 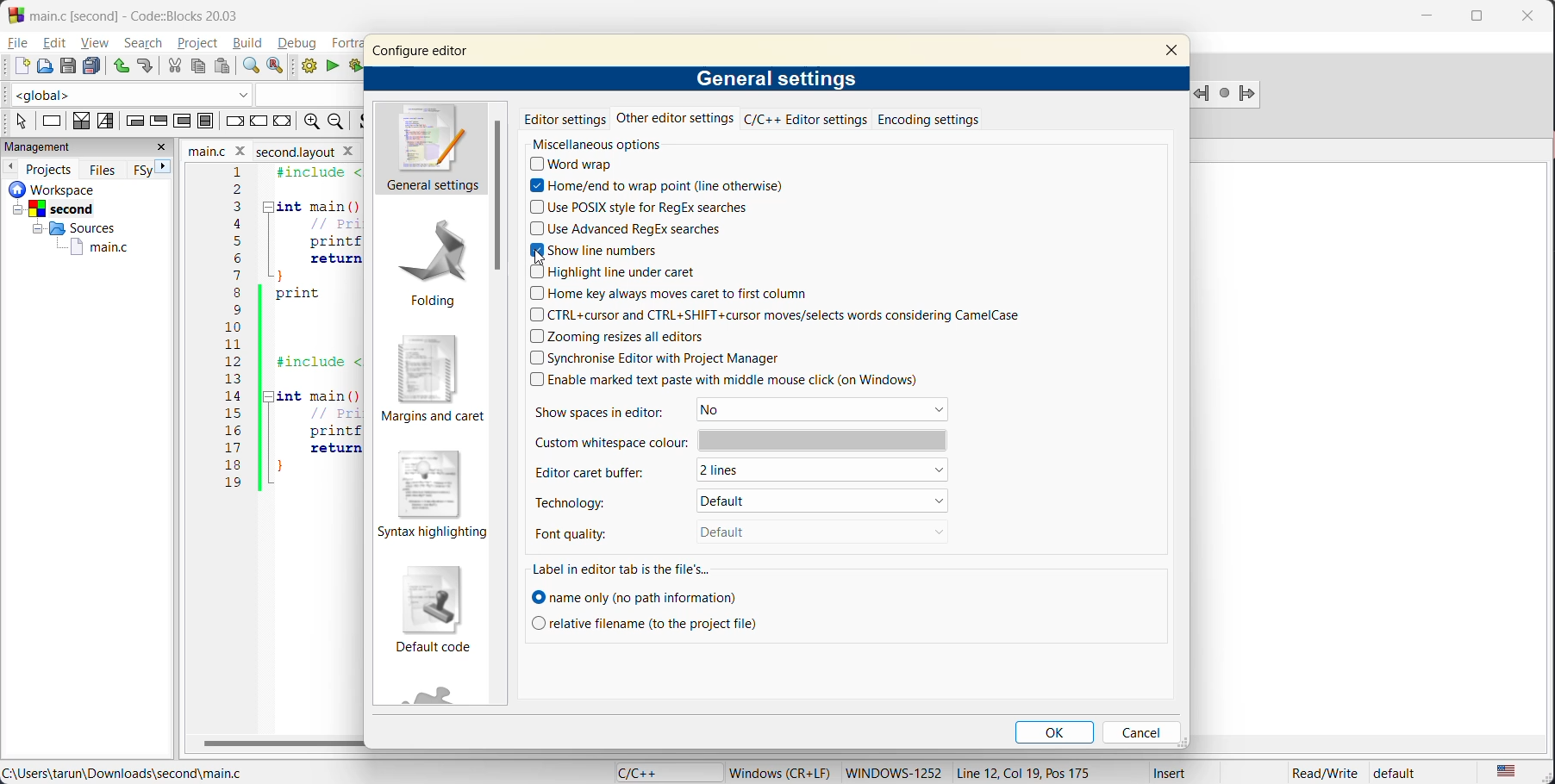 I want to click on ctrl+ cursor and ctrl+shift+cursor moves, so click(x=799, y=316).